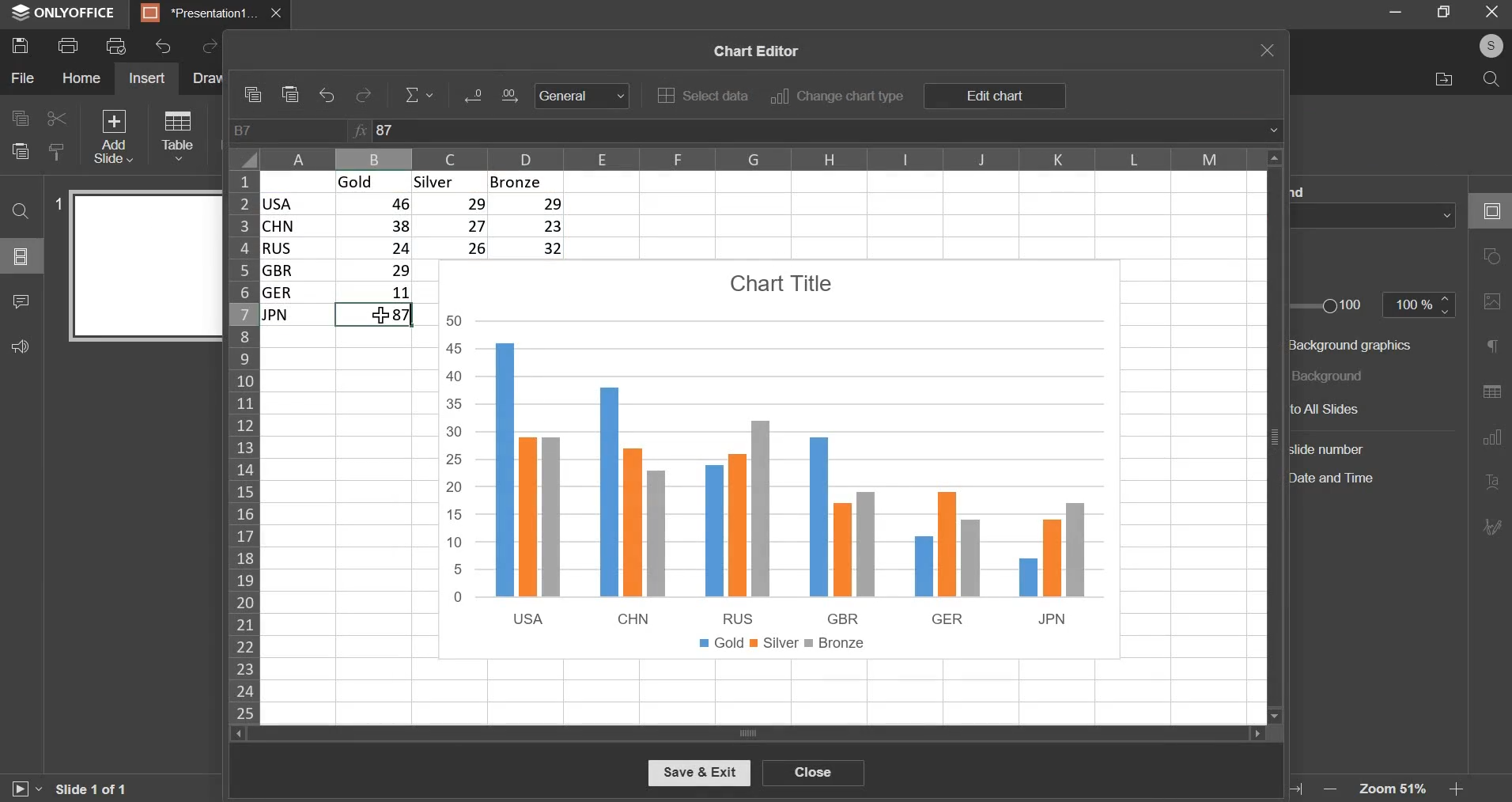 This screenshot has height=802, width=1512. What do you see at coordinates (453, 226) in the screenshot?
I see `27` at bounding box center [453, 226].